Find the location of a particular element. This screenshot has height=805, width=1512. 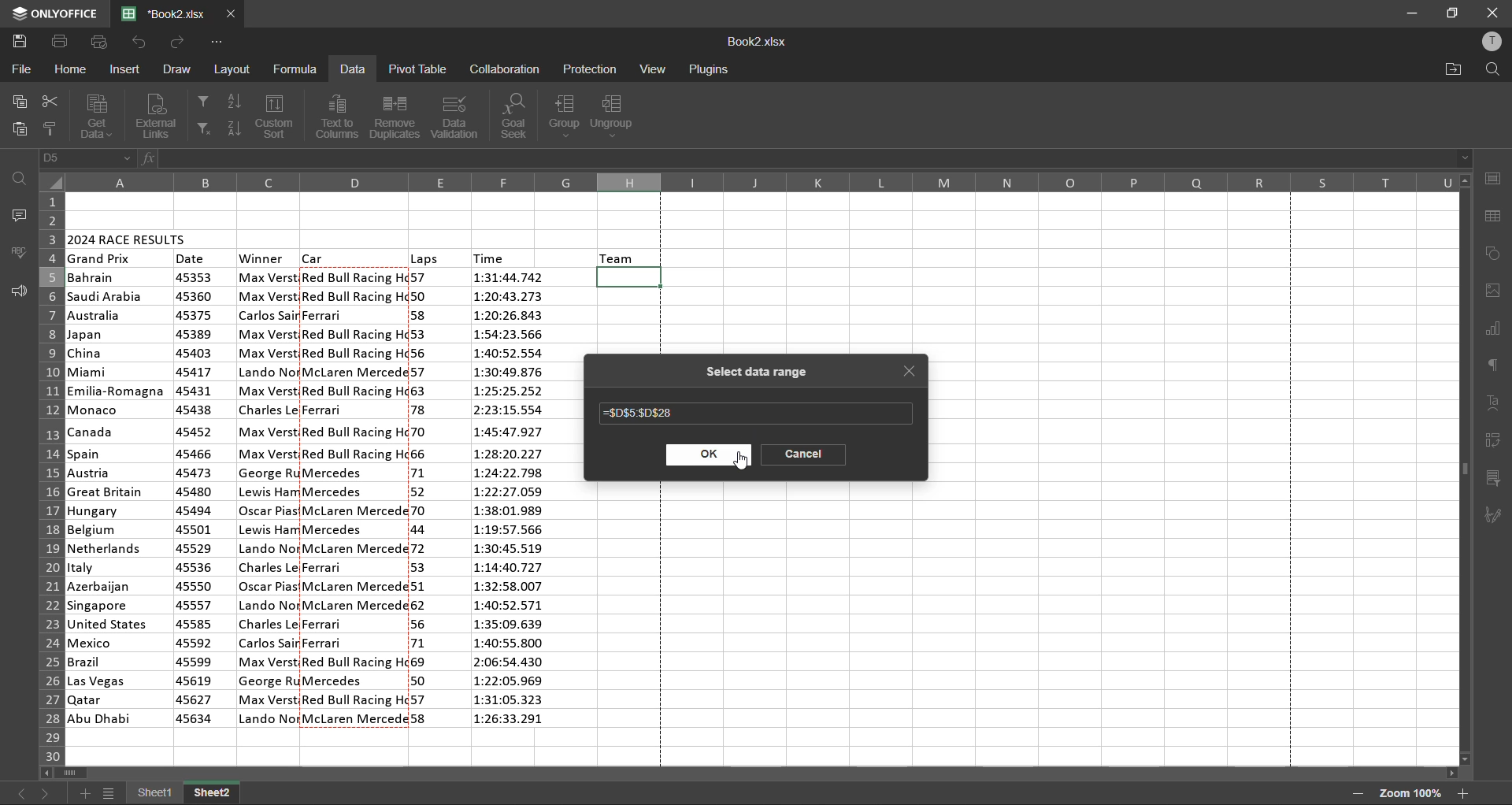

cursor is located at coordinates (740, 463).